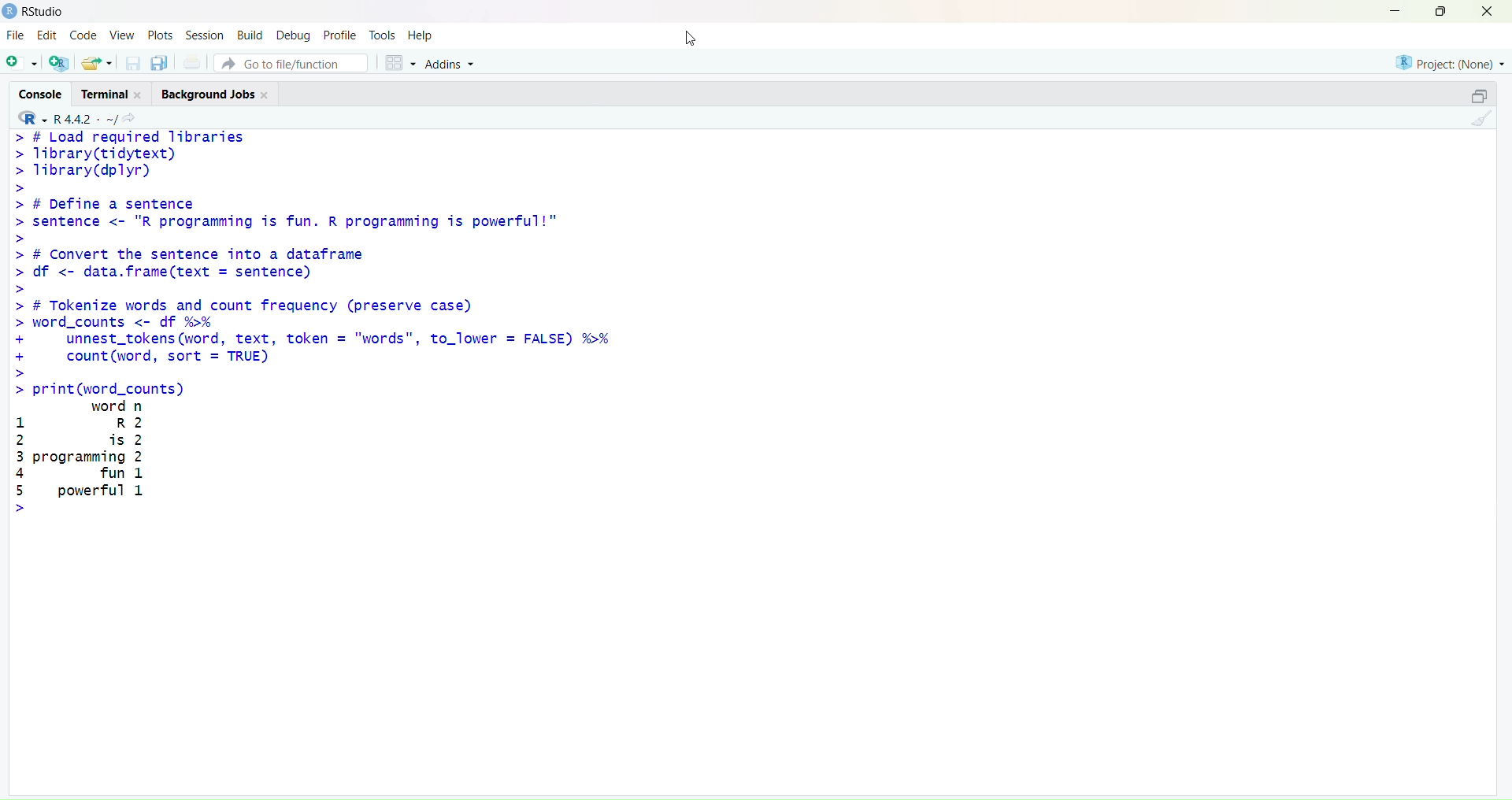  Describe the element at coordinates (161, 35) in the screenshot. I see `plots` at that location.